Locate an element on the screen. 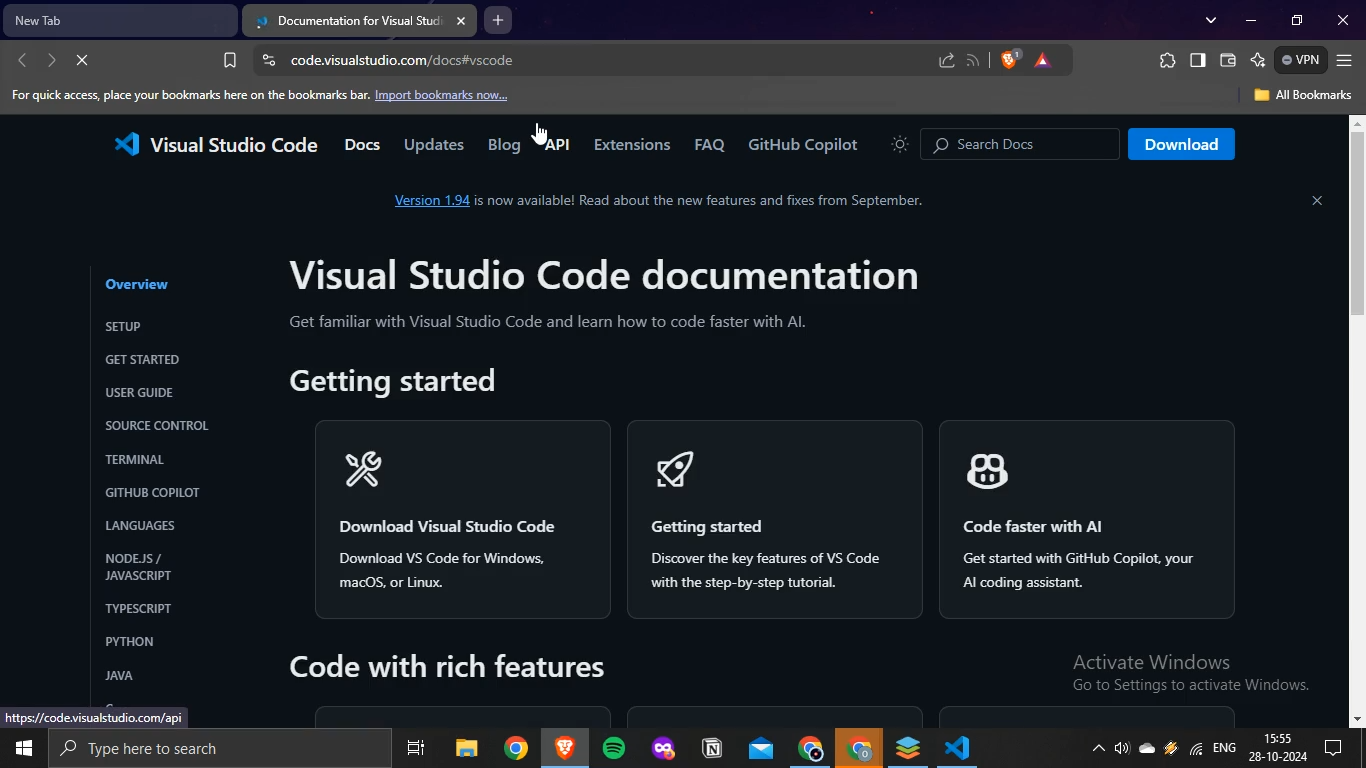 This screenshot has height=768, width=1366. Docs is located at coordinates (364, 142).